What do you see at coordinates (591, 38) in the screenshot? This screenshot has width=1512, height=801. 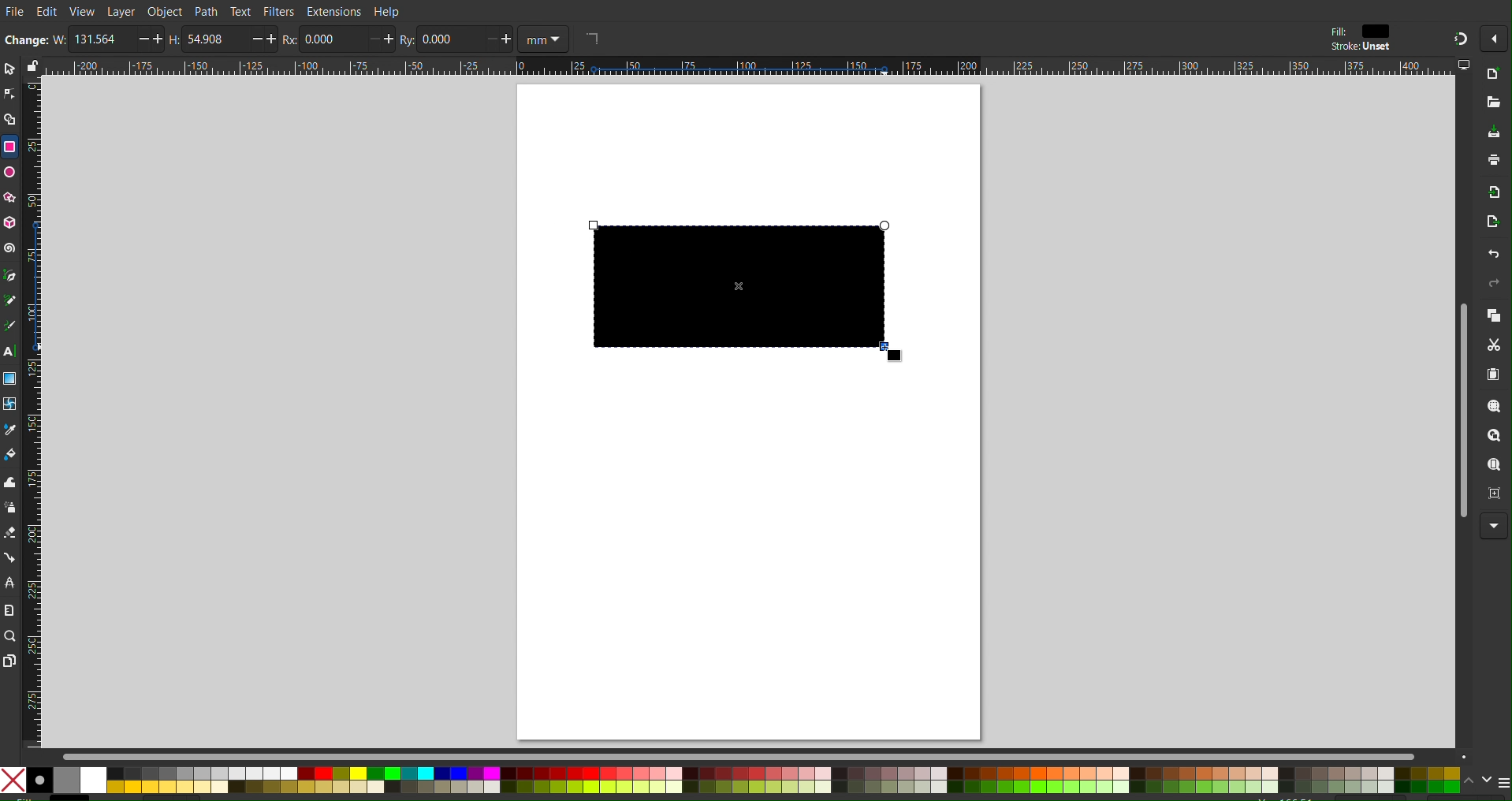 I see `rectangle shape` at bounding box center [591, 38].